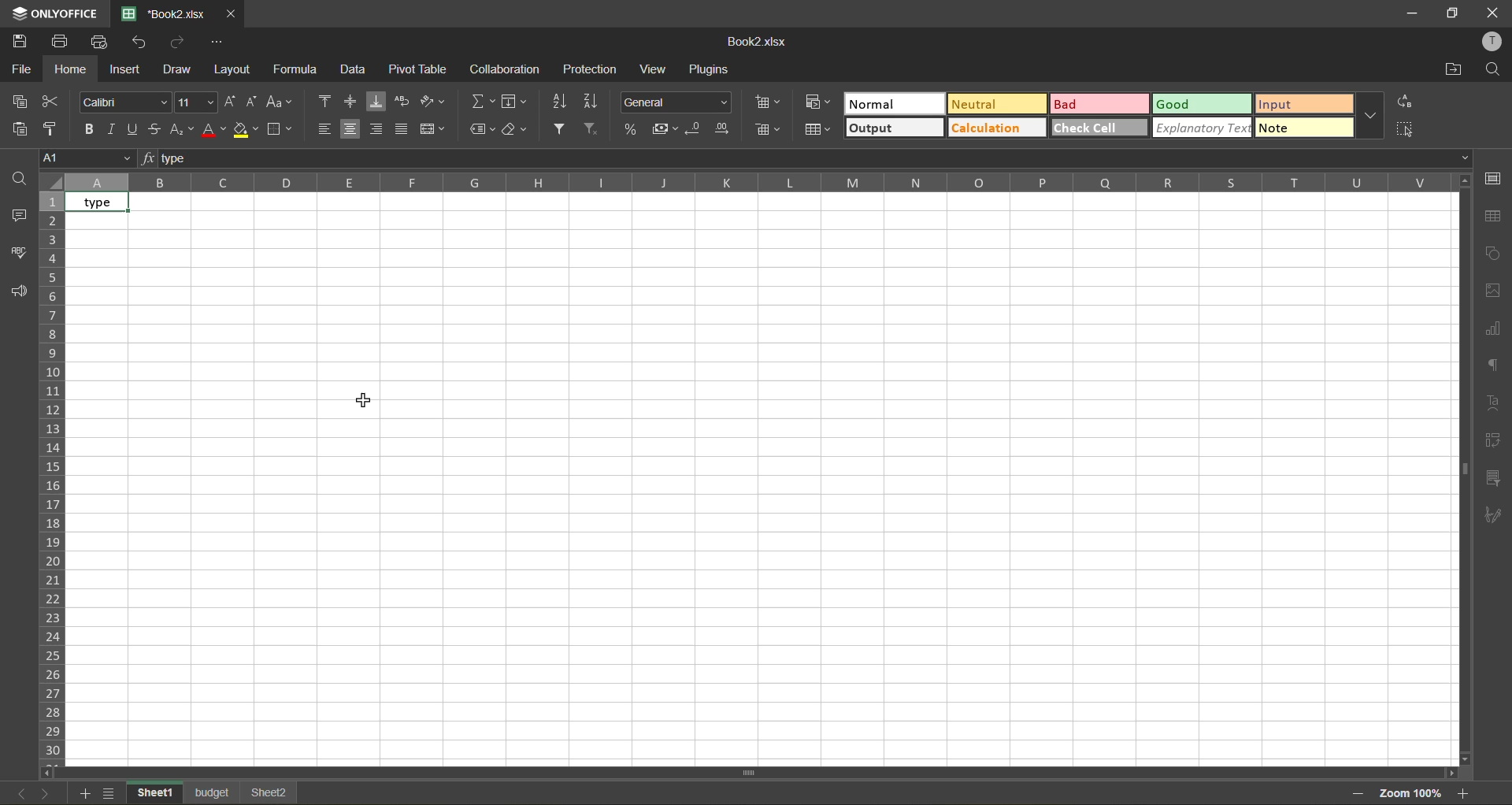  Describe the element at coordinates (420, 71) in the screenshot. I see `pivot table` at that location.